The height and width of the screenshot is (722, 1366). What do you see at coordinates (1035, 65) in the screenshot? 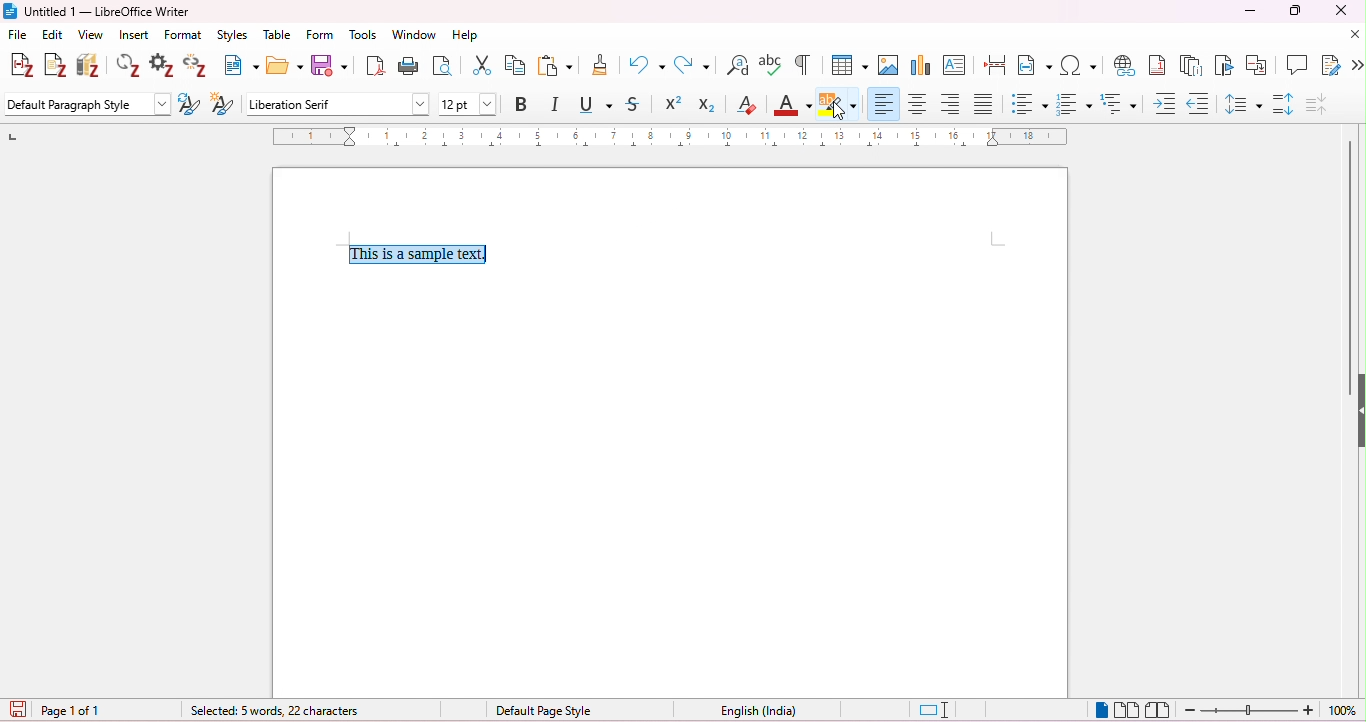
I see `insert field` at bounding box center [1035, 65].